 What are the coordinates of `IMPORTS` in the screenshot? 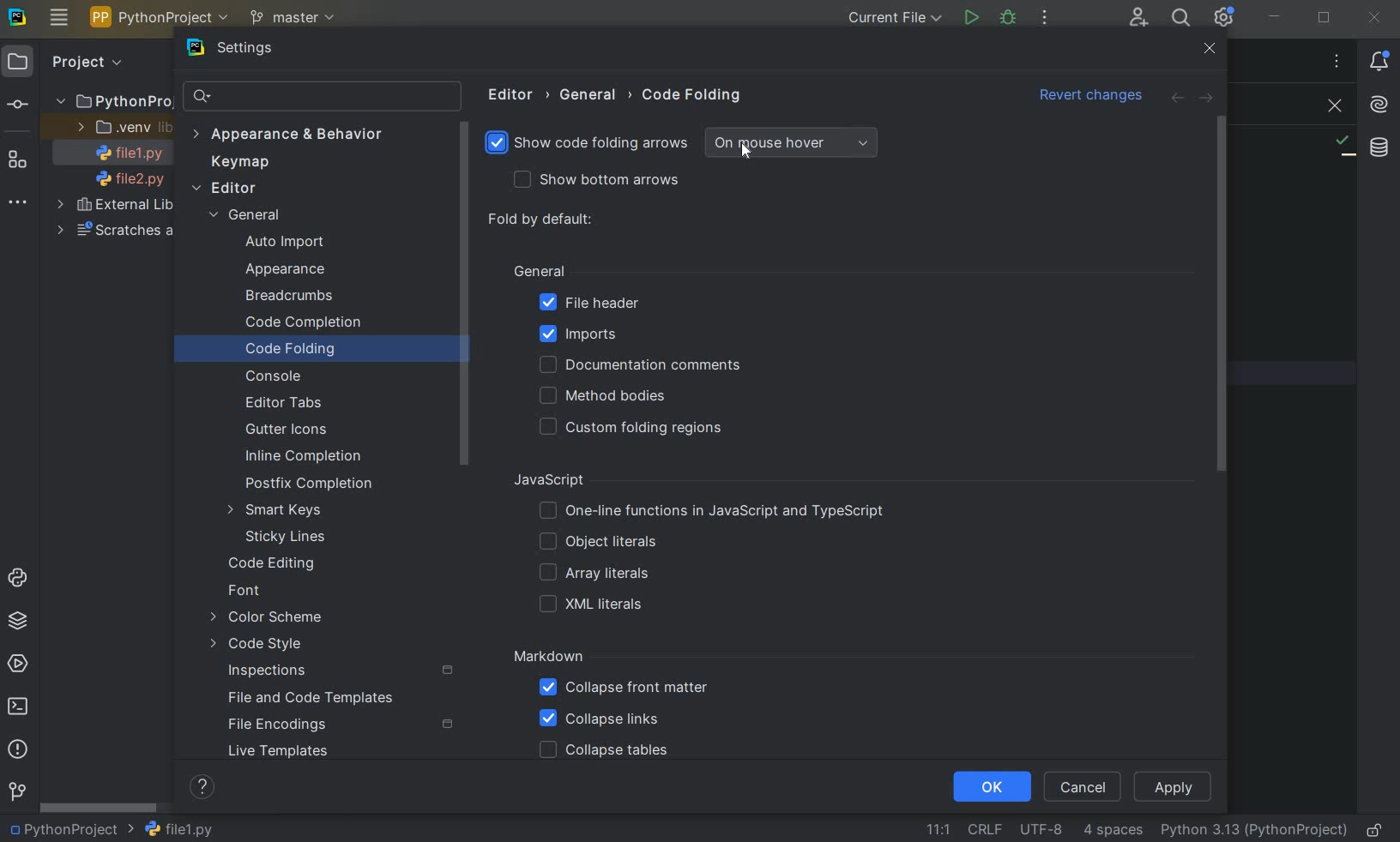 It's located at (604, 334).